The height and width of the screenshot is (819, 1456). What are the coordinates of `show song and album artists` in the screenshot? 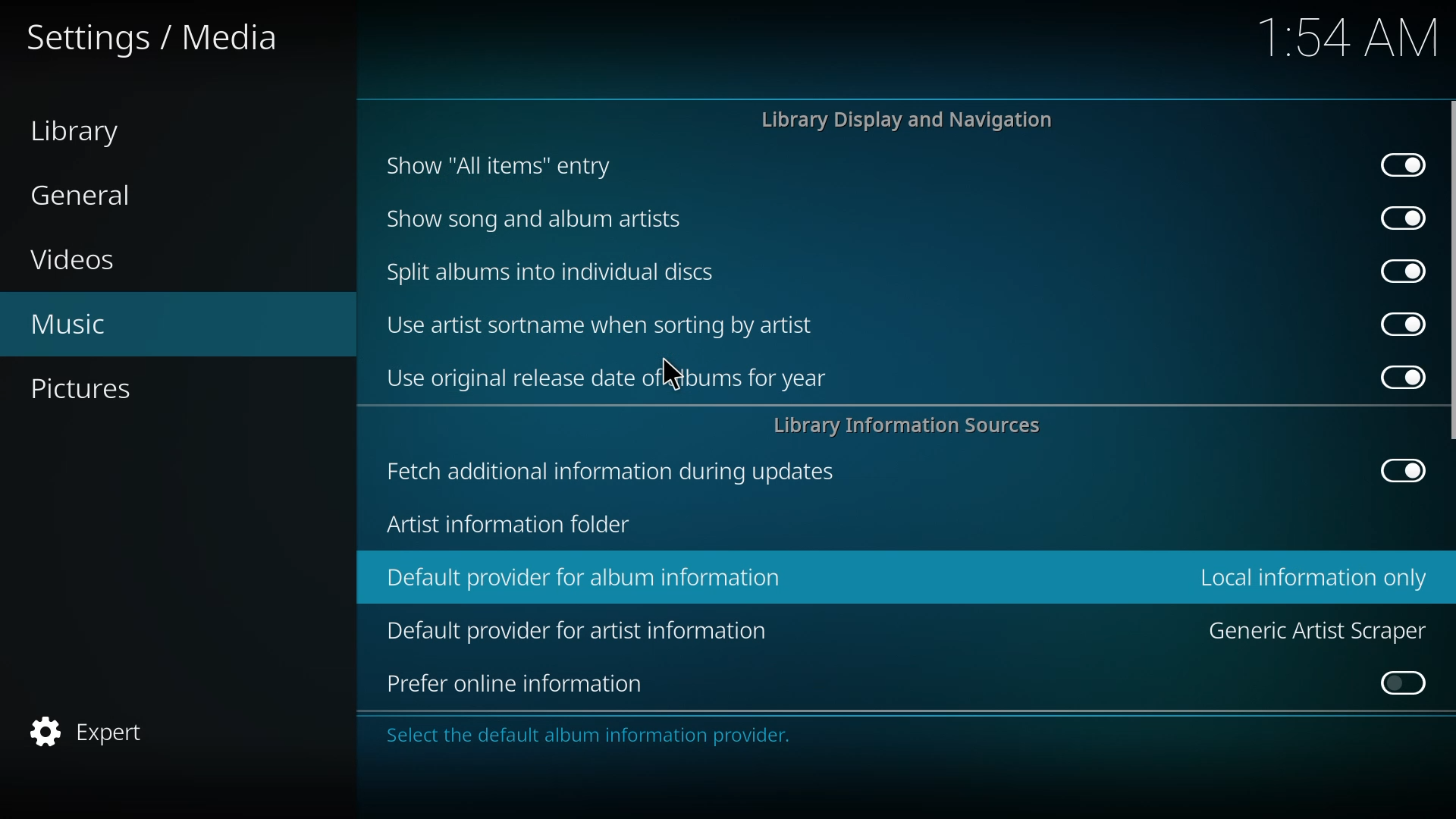 It's located at (542, 219).